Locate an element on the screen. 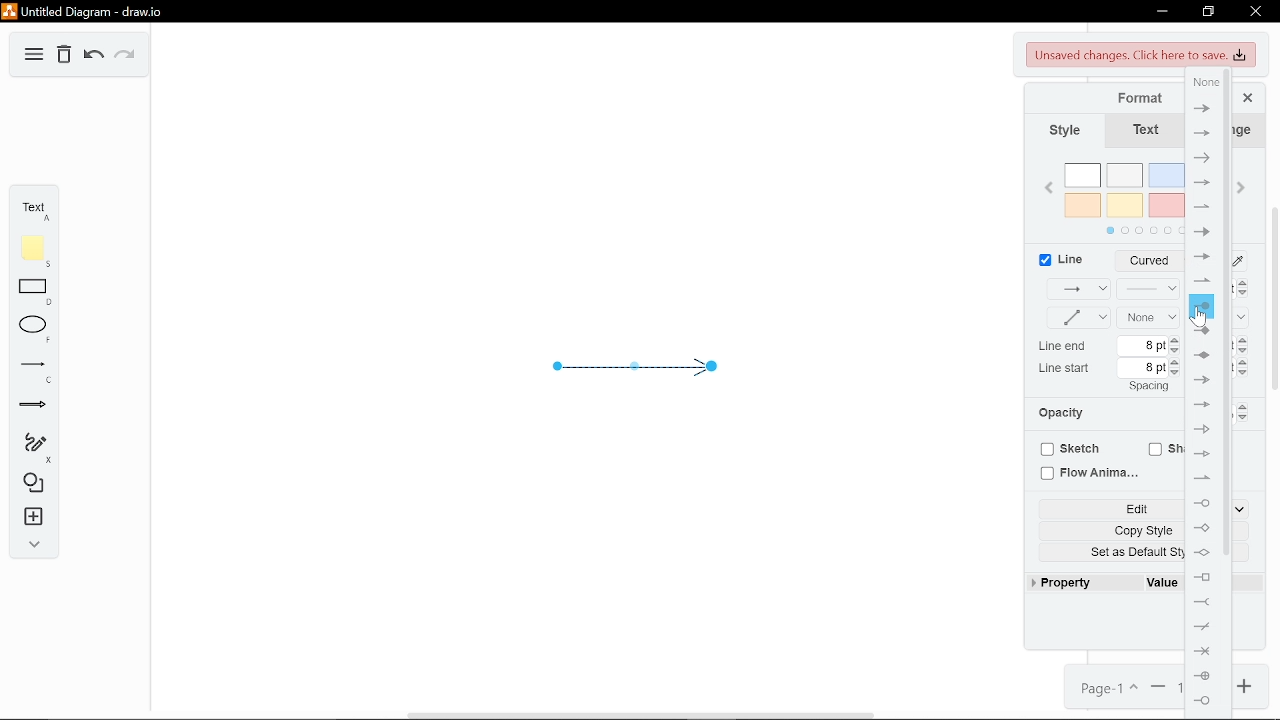 This screenshot has width=1280, height=720. Ellipse is located at coordinates (35, 331).